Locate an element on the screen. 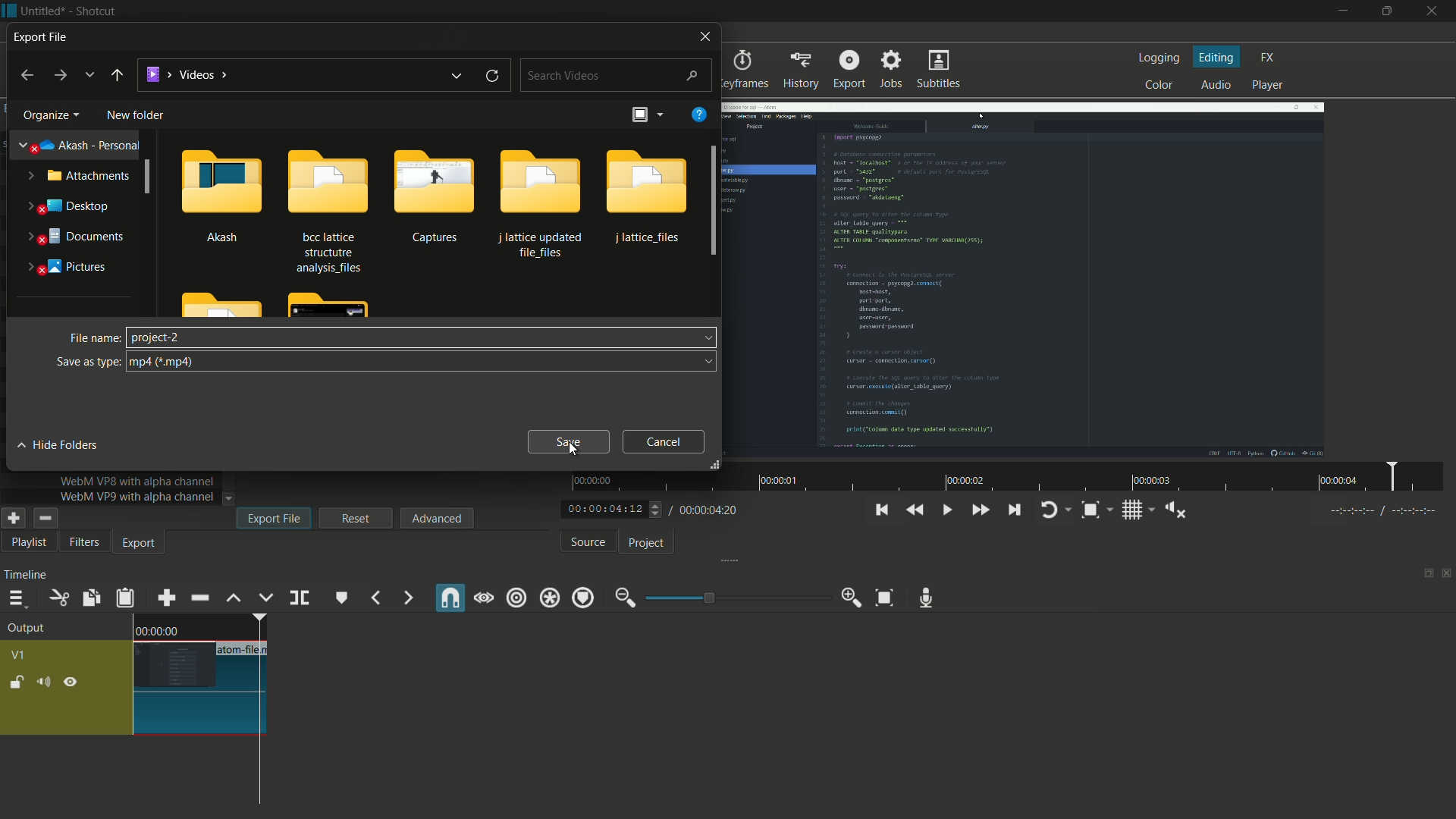 The height and width of the screenshot is (819, 1456). timeline menu is located at coordinates (17, 599).